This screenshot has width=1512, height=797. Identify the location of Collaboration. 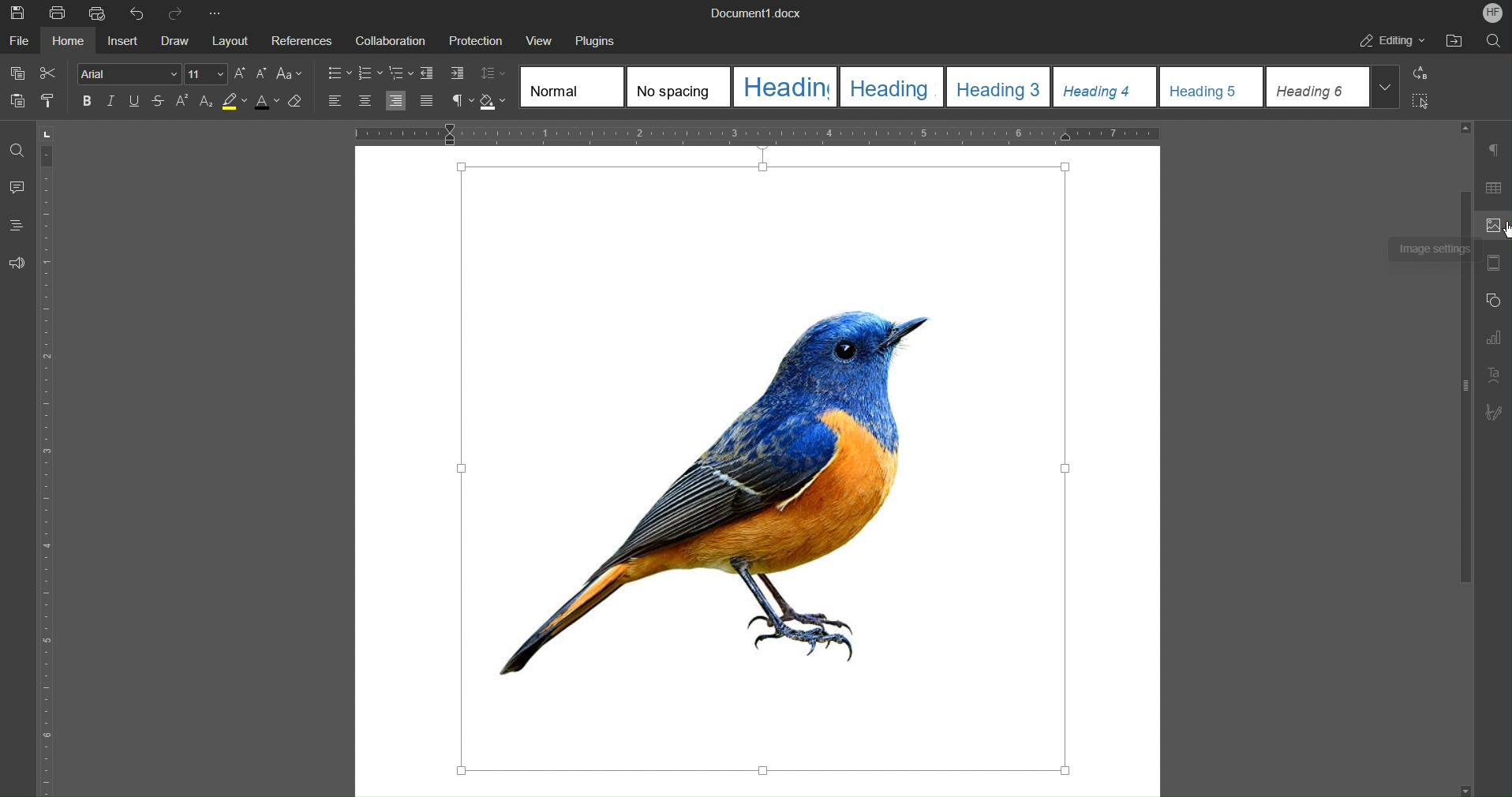
(387, 38).